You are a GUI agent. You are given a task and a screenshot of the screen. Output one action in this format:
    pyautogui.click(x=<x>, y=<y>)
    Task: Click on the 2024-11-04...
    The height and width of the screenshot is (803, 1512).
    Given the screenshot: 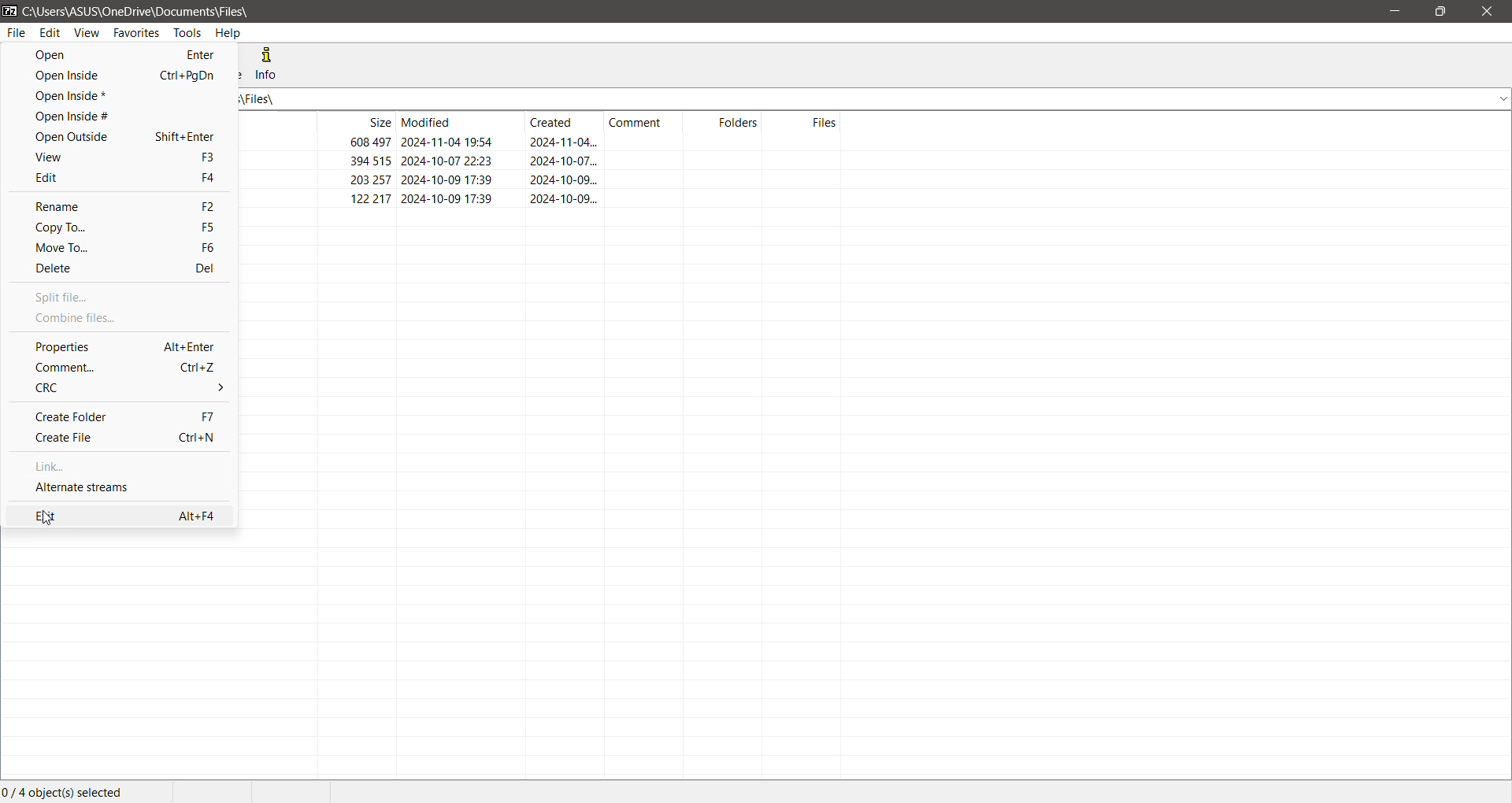 What is the action you would take?
    pyautogui.click(x=561, y=142)
    